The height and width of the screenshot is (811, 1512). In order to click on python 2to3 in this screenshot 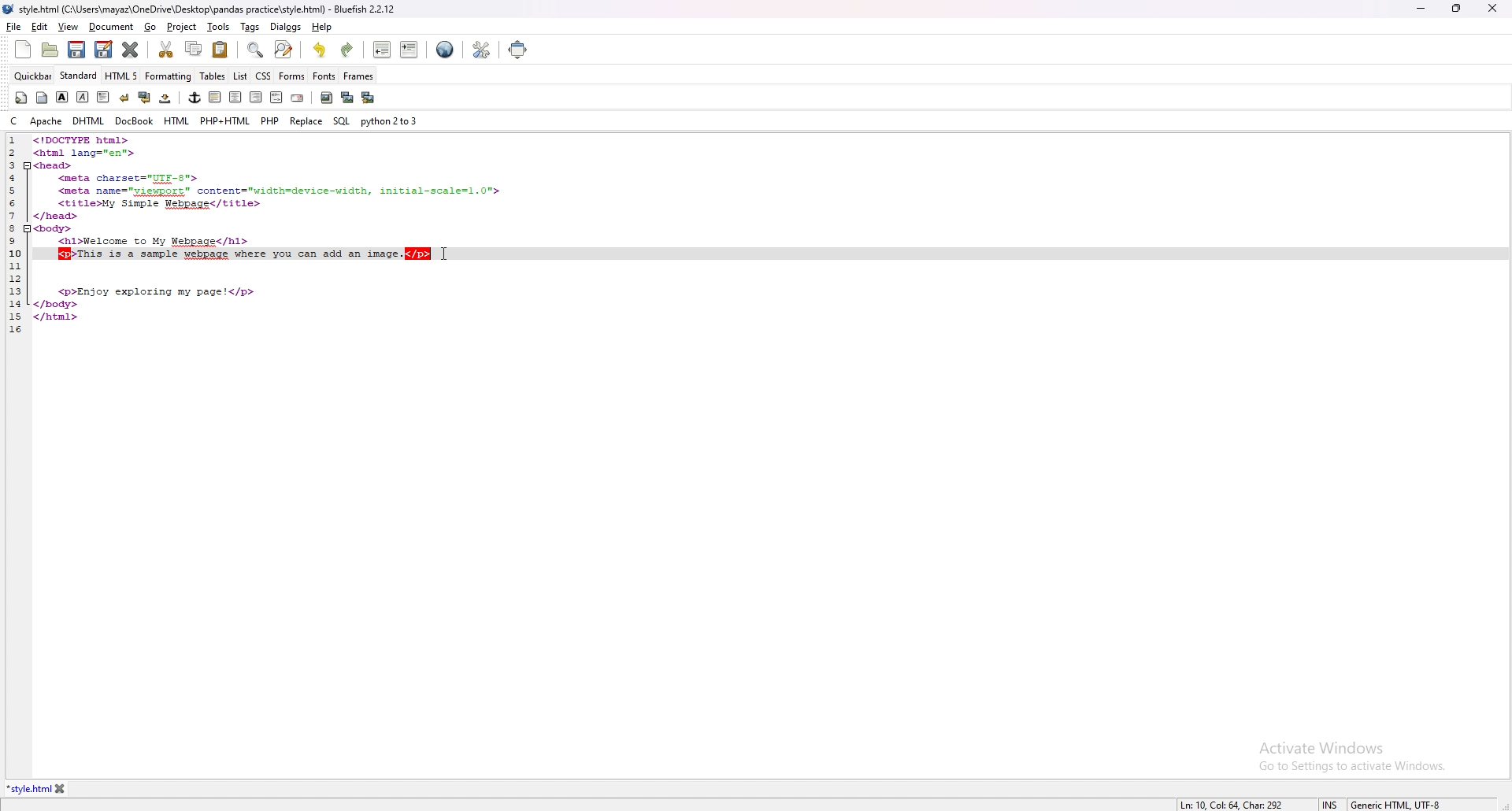, I will do `click(389, 120)`.